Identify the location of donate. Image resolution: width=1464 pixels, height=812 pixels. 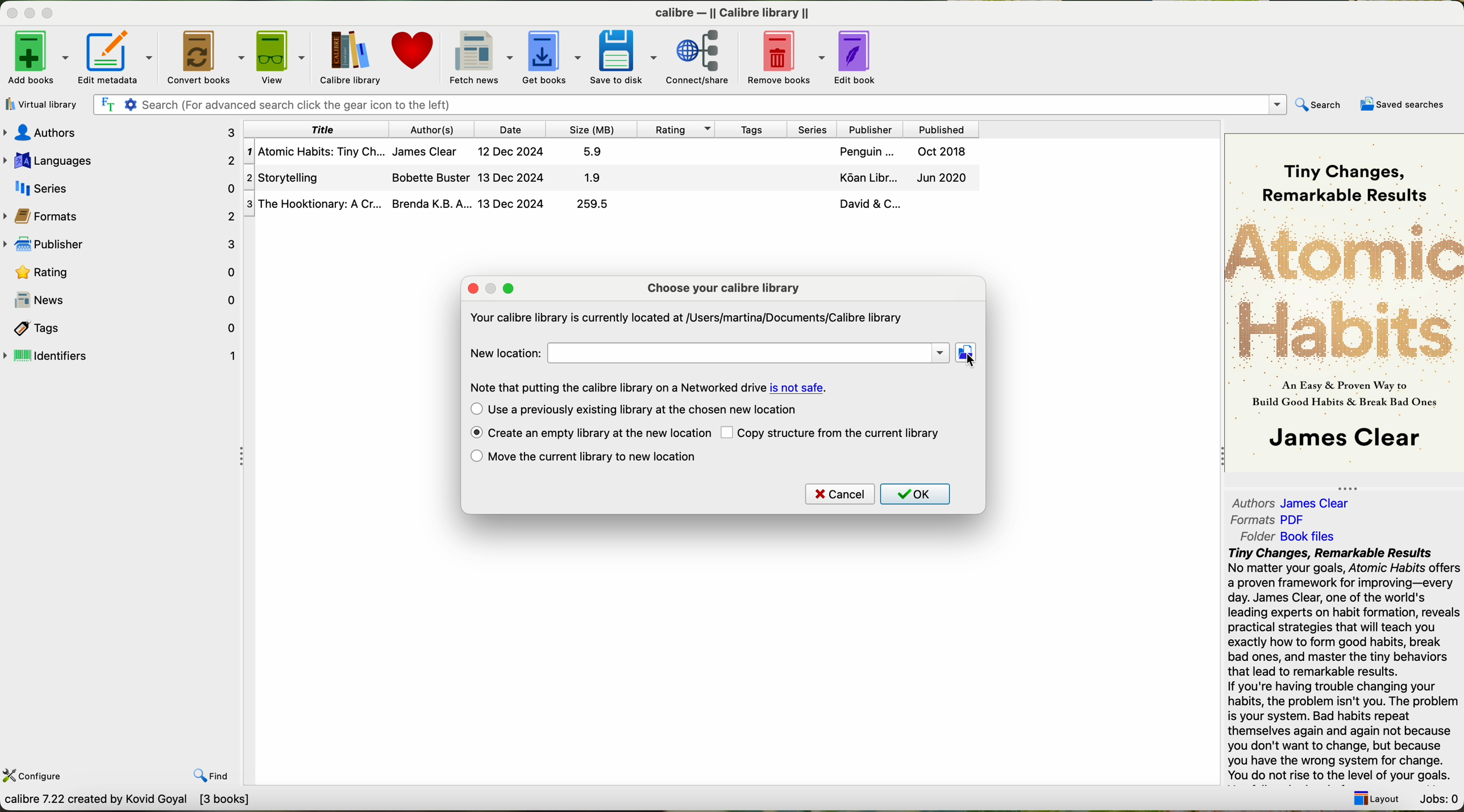
(414, 56).